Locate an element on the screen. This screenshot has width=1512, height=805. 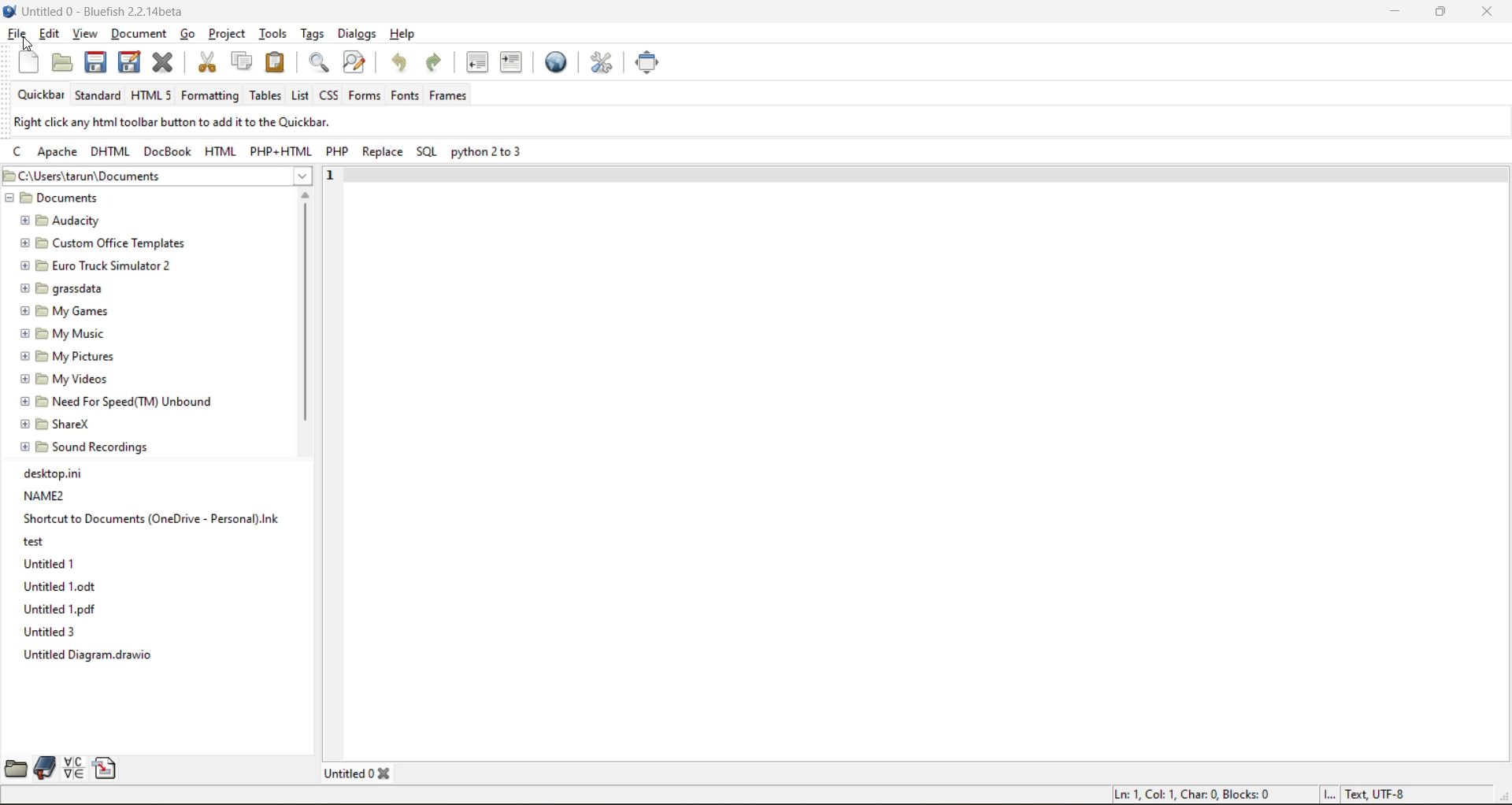
find is located at coordinates (317, 64).